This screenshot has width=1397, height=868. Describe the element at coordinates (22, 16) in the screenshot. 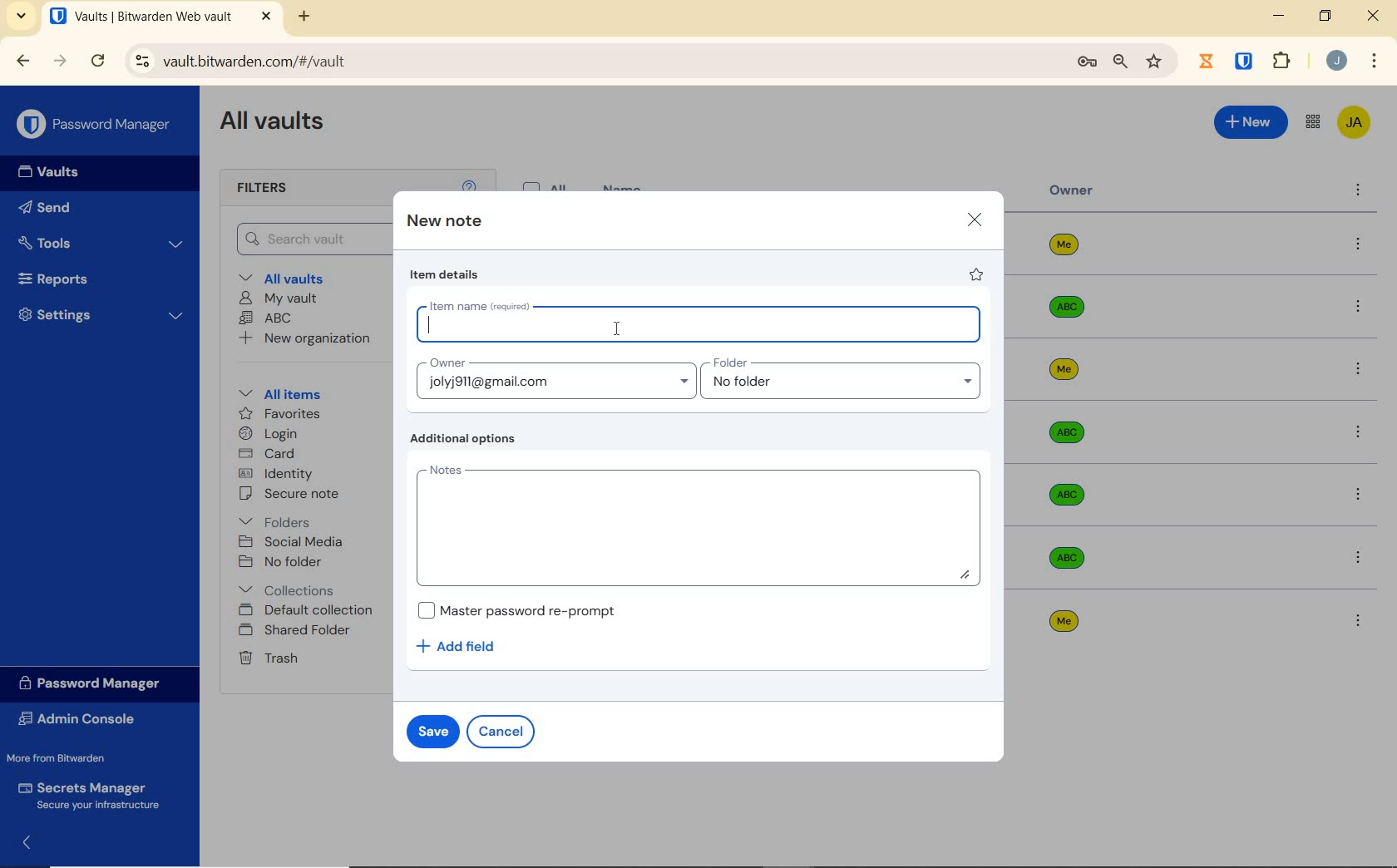

I see `search tabs` at that location.